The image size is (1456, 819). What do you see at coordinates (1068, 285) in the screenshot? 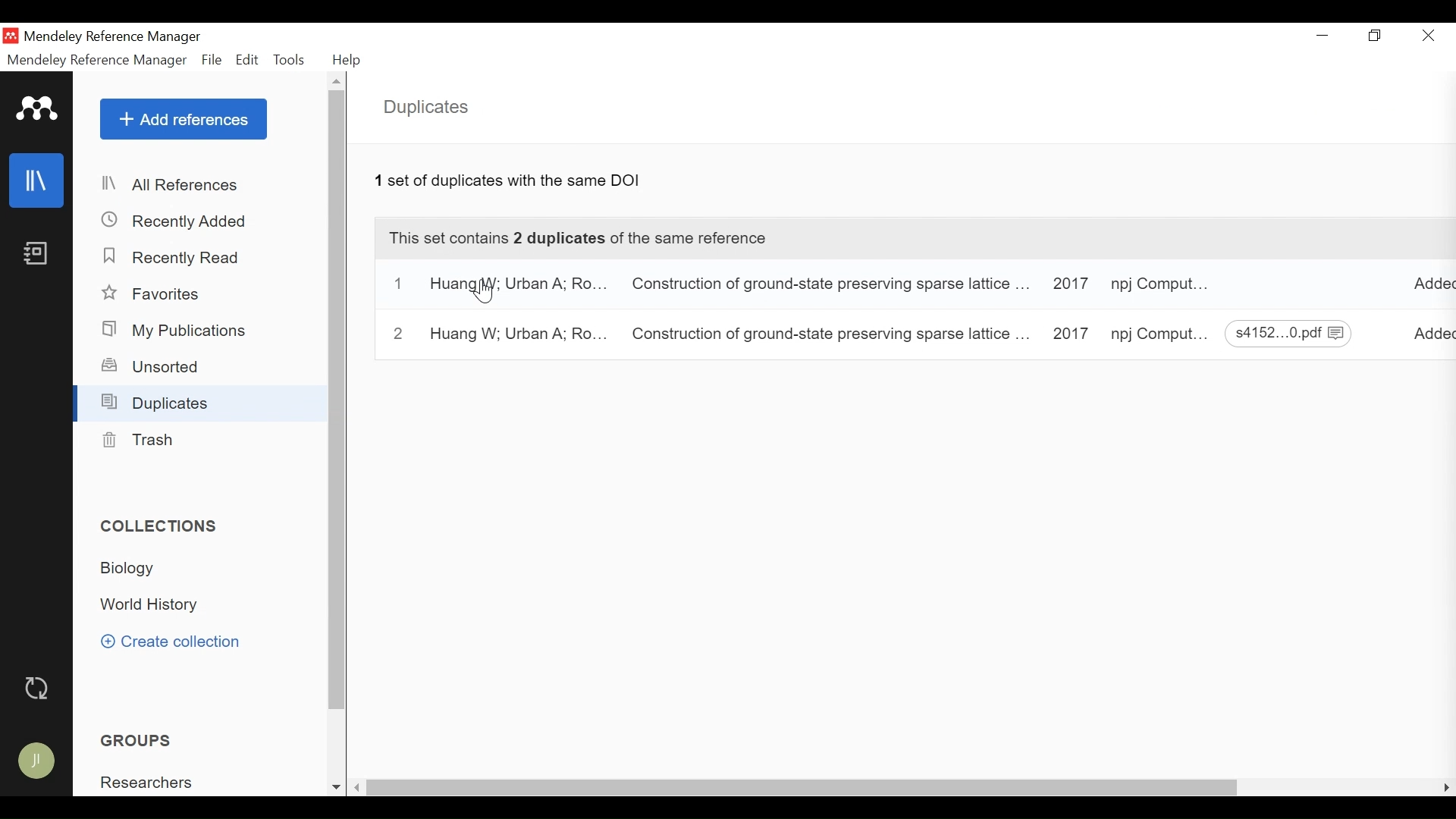
I see `Year` at bounding box center [1068, 285].